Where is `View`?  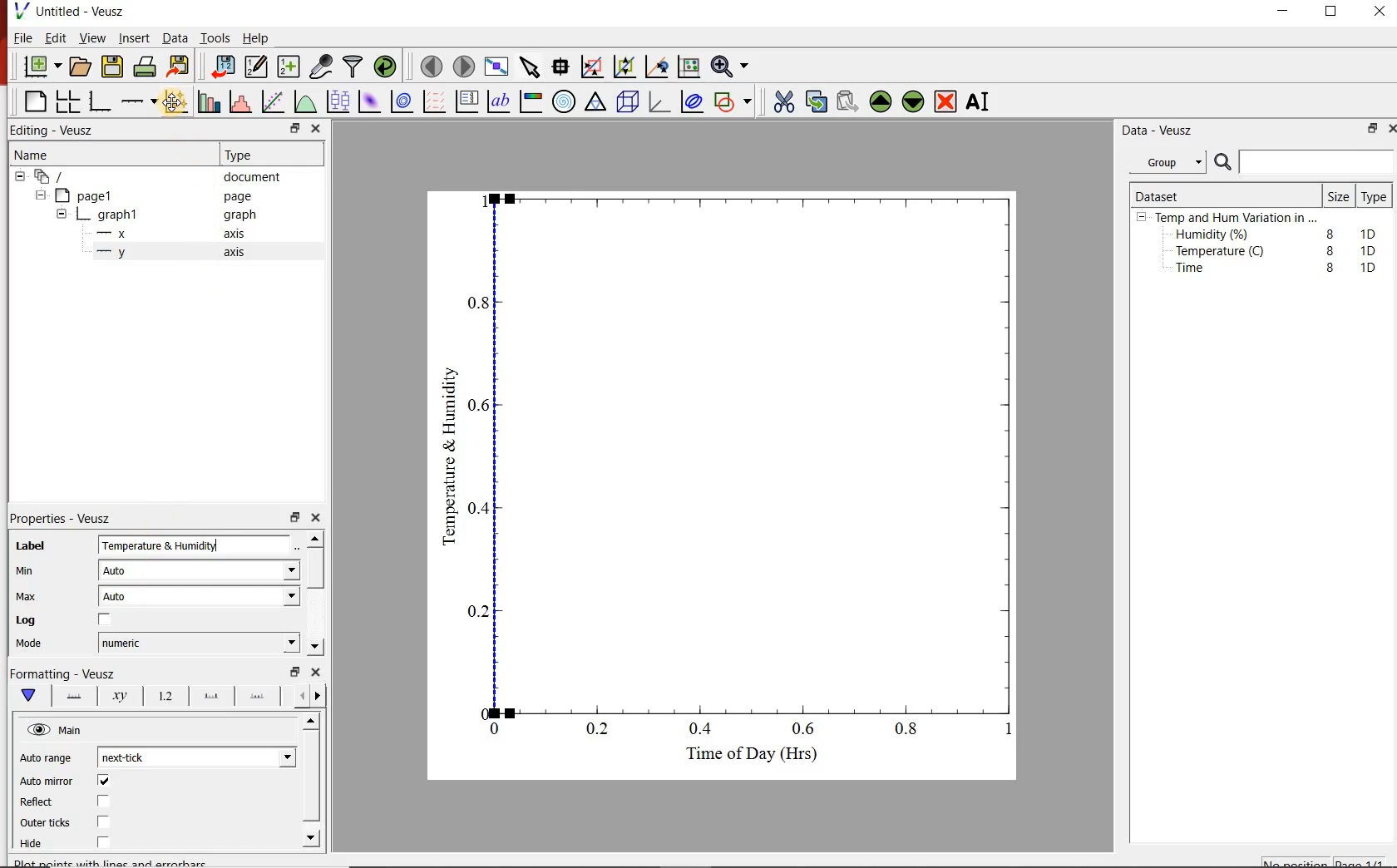
View is located at coordinates (92, 38).